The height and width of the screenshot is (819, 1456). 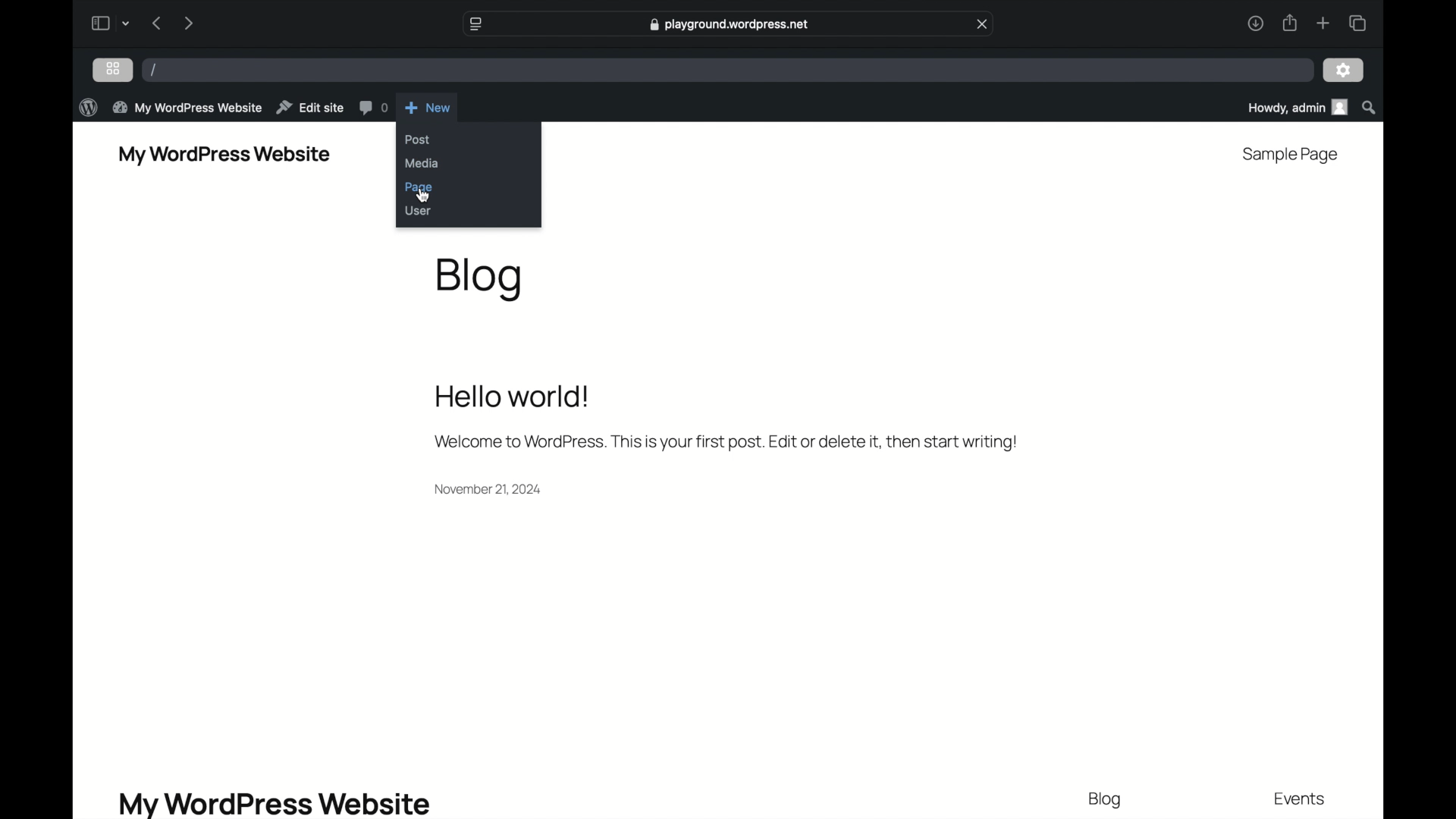 What do you see at coordinates (1289, 23) in the screenshot?
I see `share` at bounding box center [1289, 23].